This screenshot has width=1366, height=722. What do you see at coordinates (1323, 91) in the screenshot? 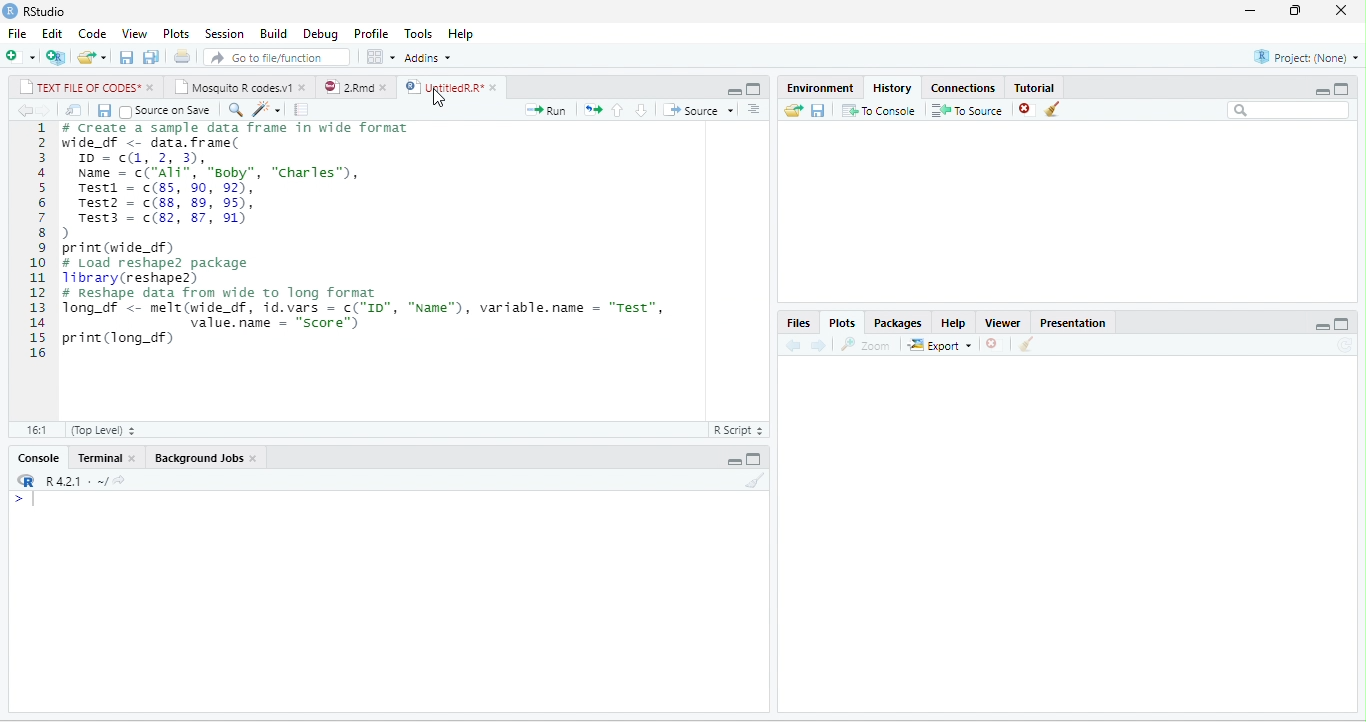
I see `minimize` at bounding box center [1323, 91].